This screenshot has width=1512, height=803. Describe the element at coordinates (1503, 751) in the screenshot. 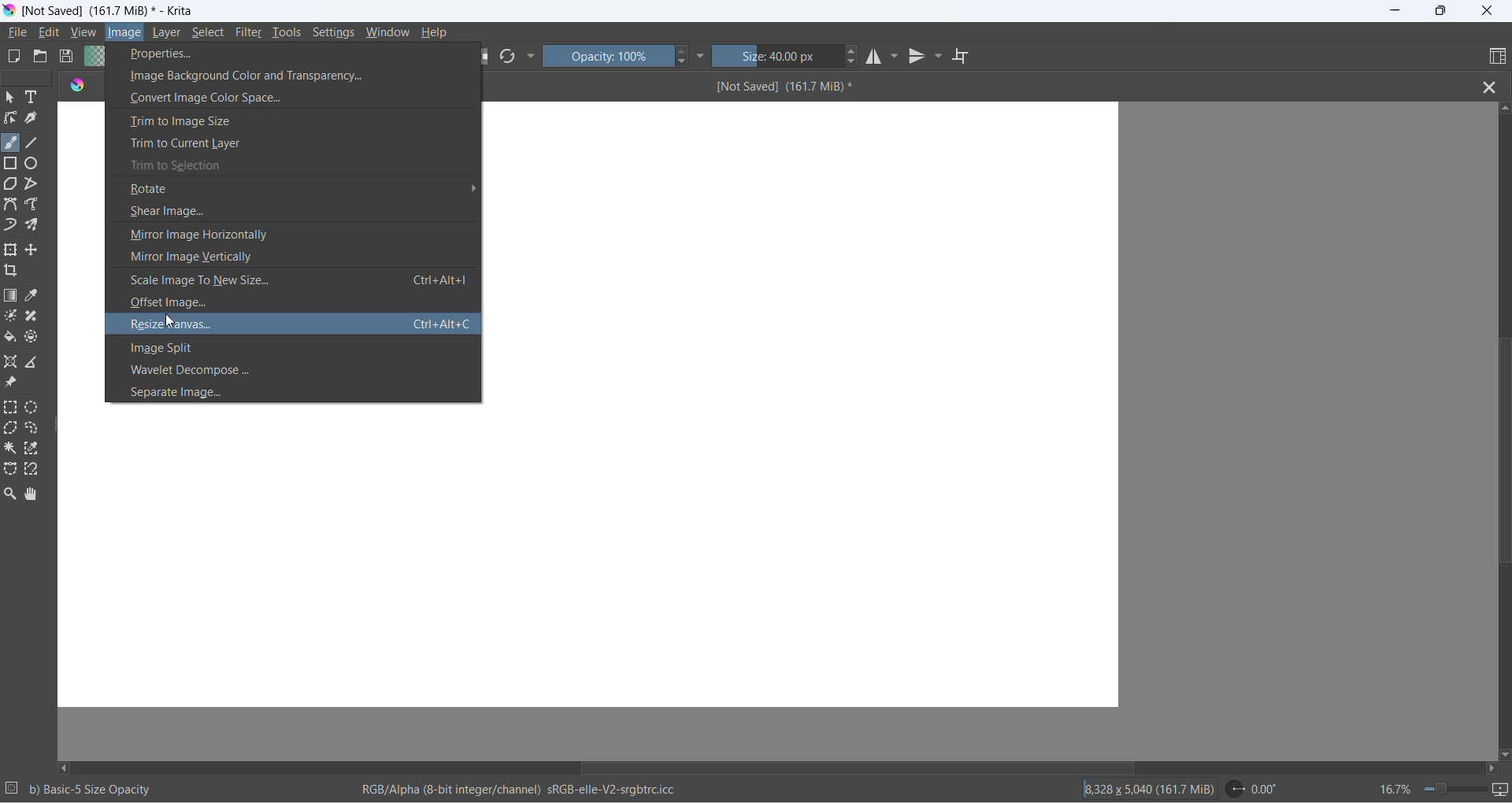

I see `scroll down button` at that location.